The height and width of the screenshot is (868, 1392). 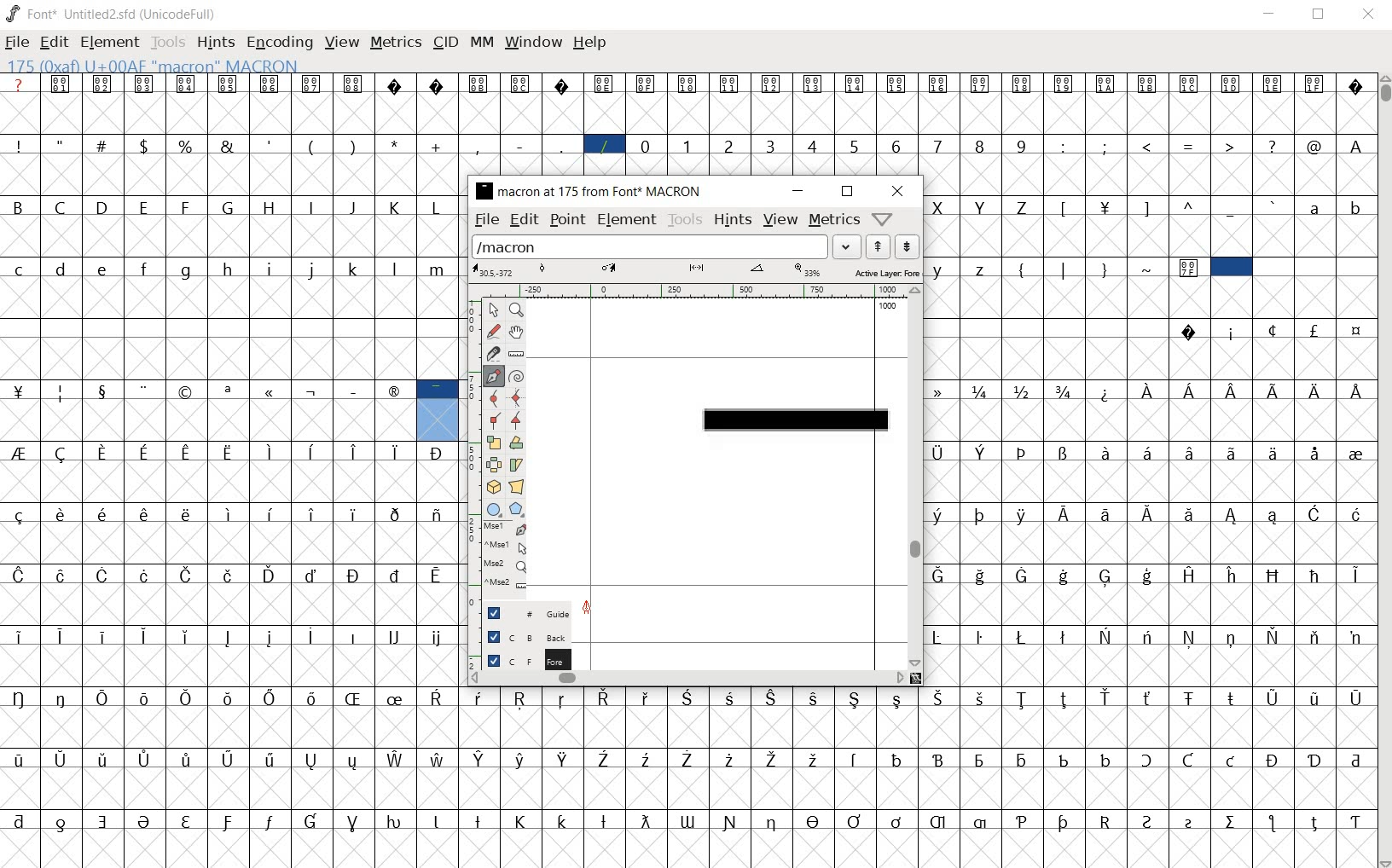 What do you see at coordinates (273, 206) in the screenshot?
I see `H` at bounding box center [273, 206].